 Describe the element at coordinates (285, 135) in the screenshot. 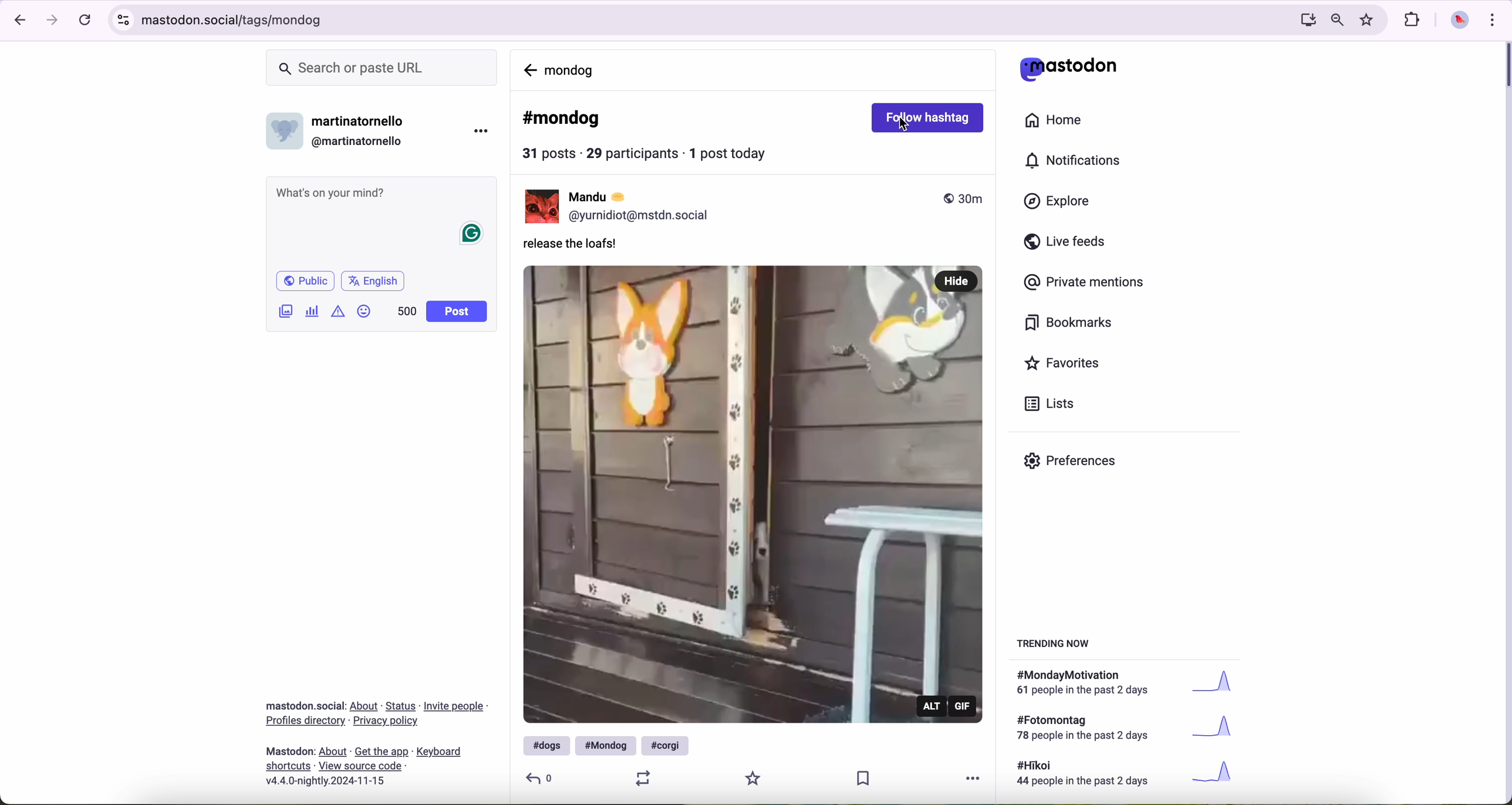

I see `profile` at that location.